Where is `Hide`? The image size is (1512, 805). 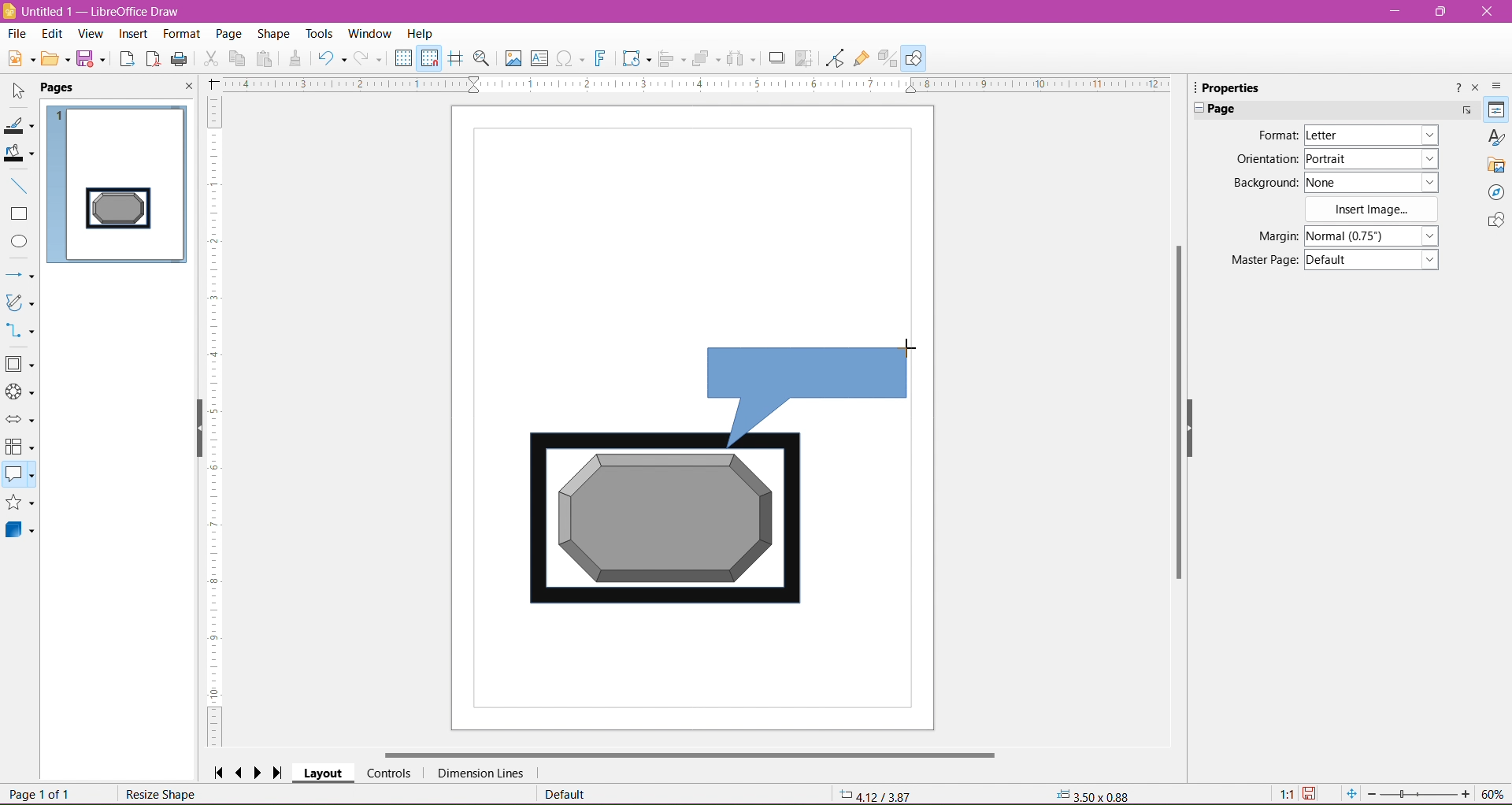
Hide is located at coordinates (1201, 436).